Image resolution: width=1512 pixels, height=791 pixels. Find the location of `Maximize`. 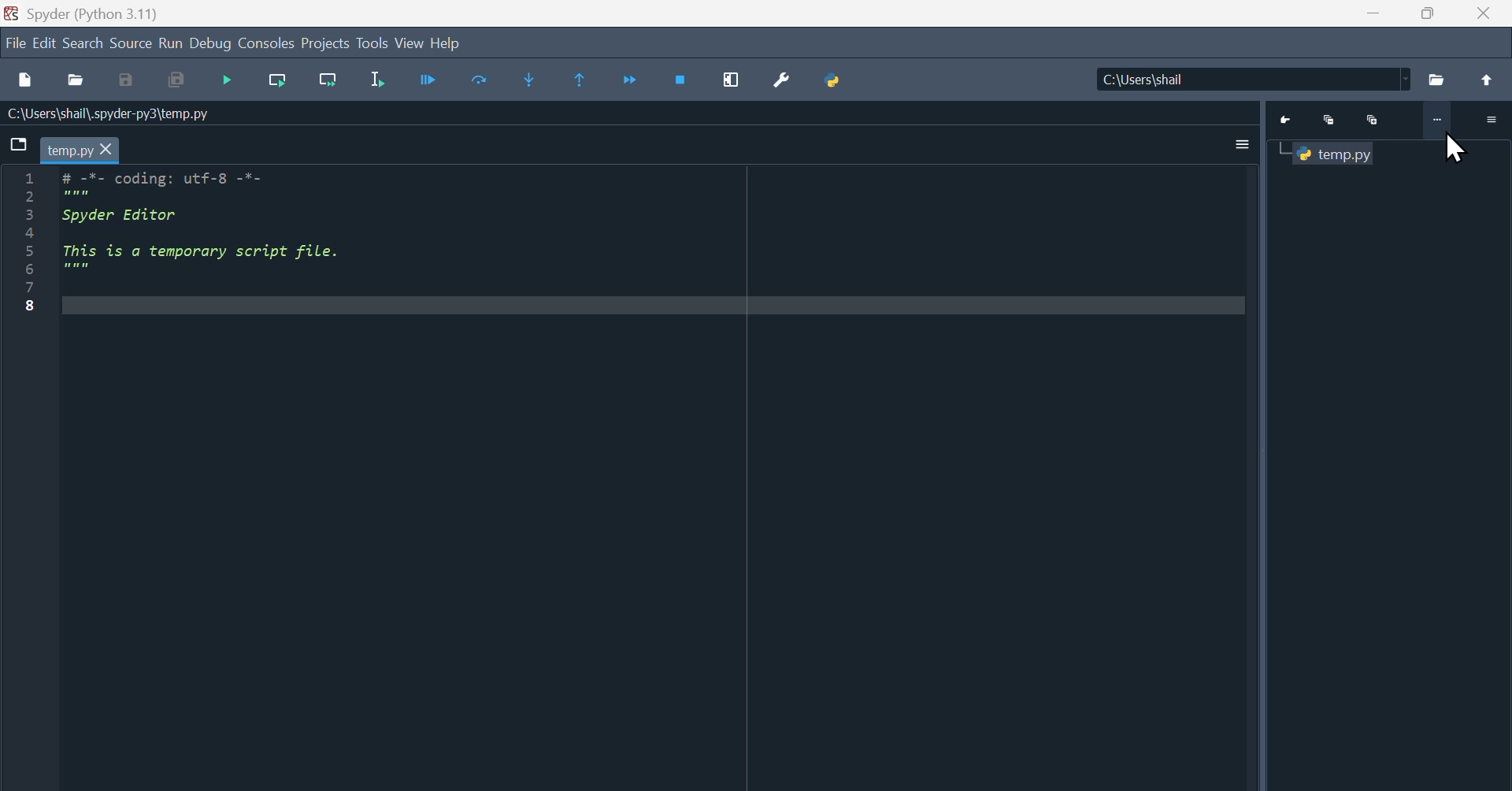

Maximize is located at coordinates (1429, 13).